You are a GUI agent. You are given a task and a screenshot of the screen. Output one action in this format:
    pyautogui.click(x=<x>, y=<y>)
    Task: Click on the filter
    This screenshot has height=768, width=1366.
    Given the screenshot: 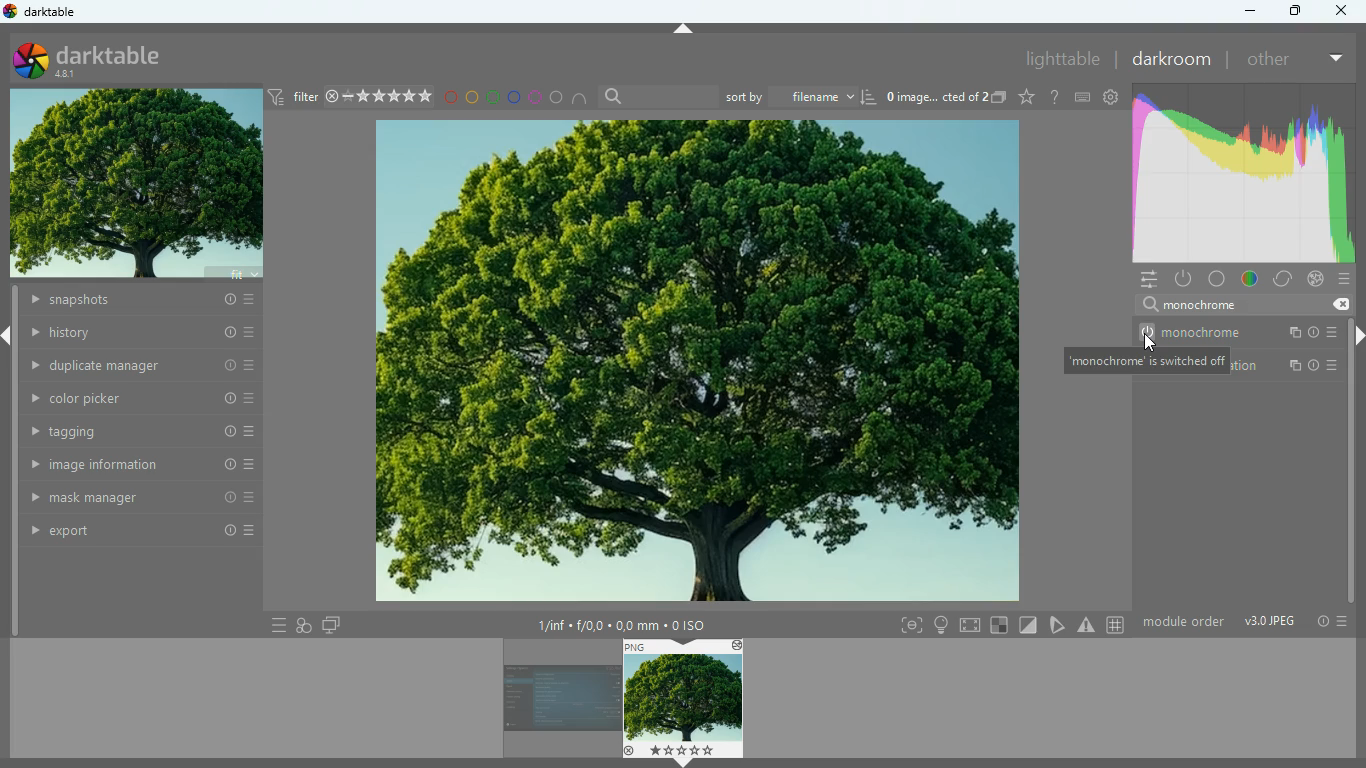 What is the action you would take?
    pyautogui.click(x=353, y=98)
    